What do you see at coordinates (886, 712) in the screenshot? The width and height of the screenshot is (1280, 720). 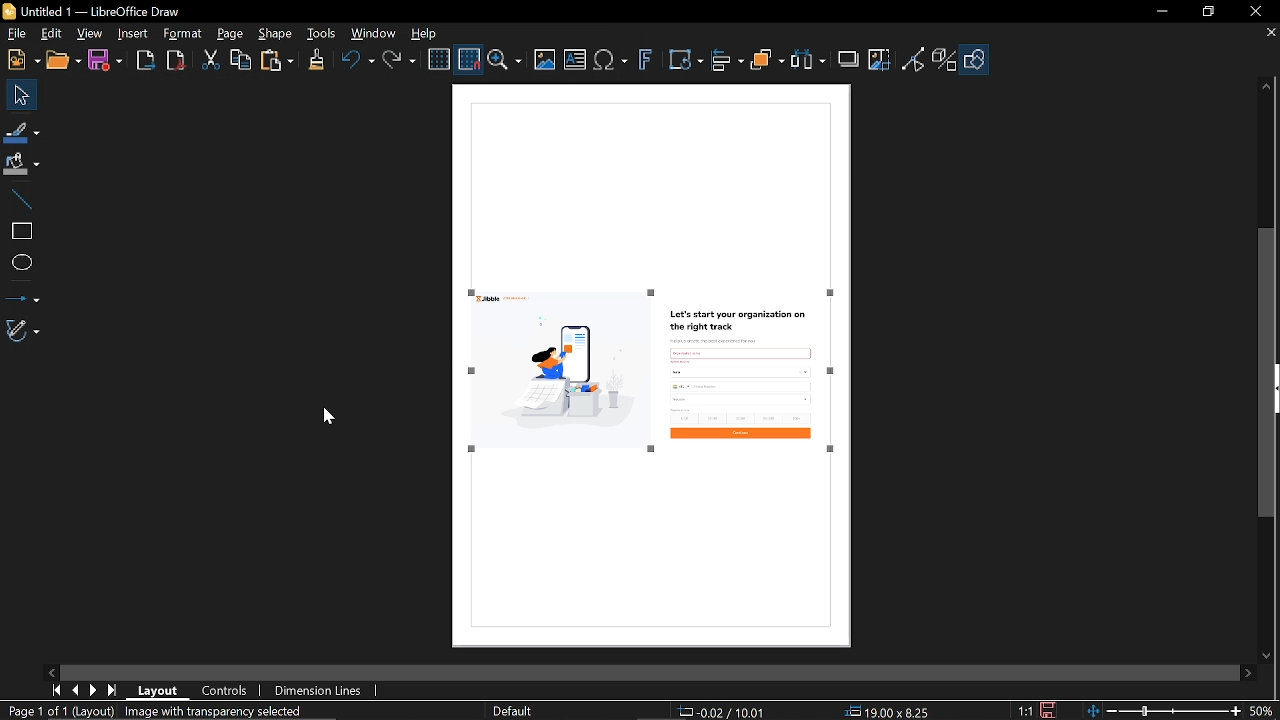 I see `Size` at bounding box center [886, 712].